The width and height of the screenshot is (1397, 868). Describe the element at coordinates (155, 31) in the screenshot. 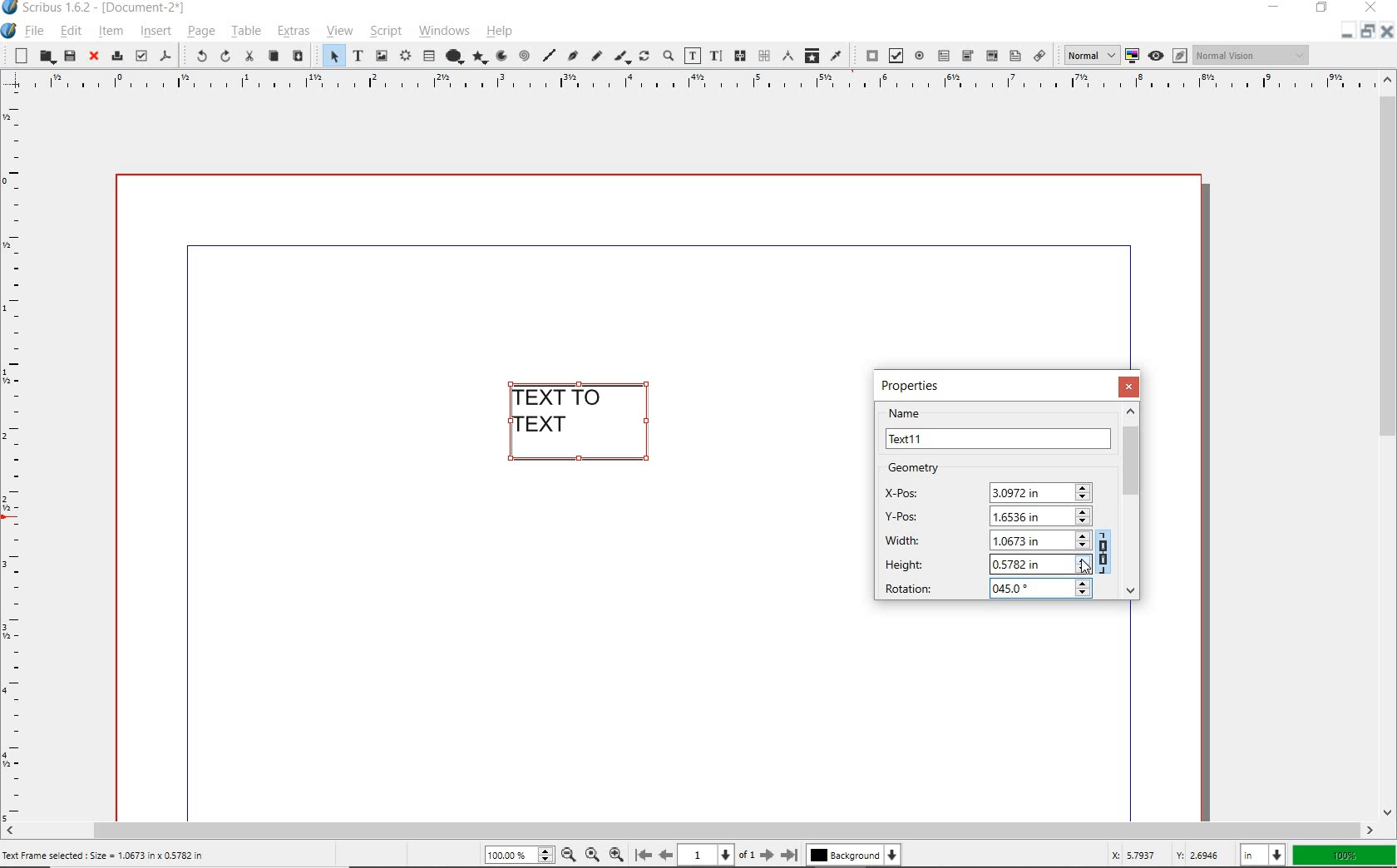

I see `insert` at that location.